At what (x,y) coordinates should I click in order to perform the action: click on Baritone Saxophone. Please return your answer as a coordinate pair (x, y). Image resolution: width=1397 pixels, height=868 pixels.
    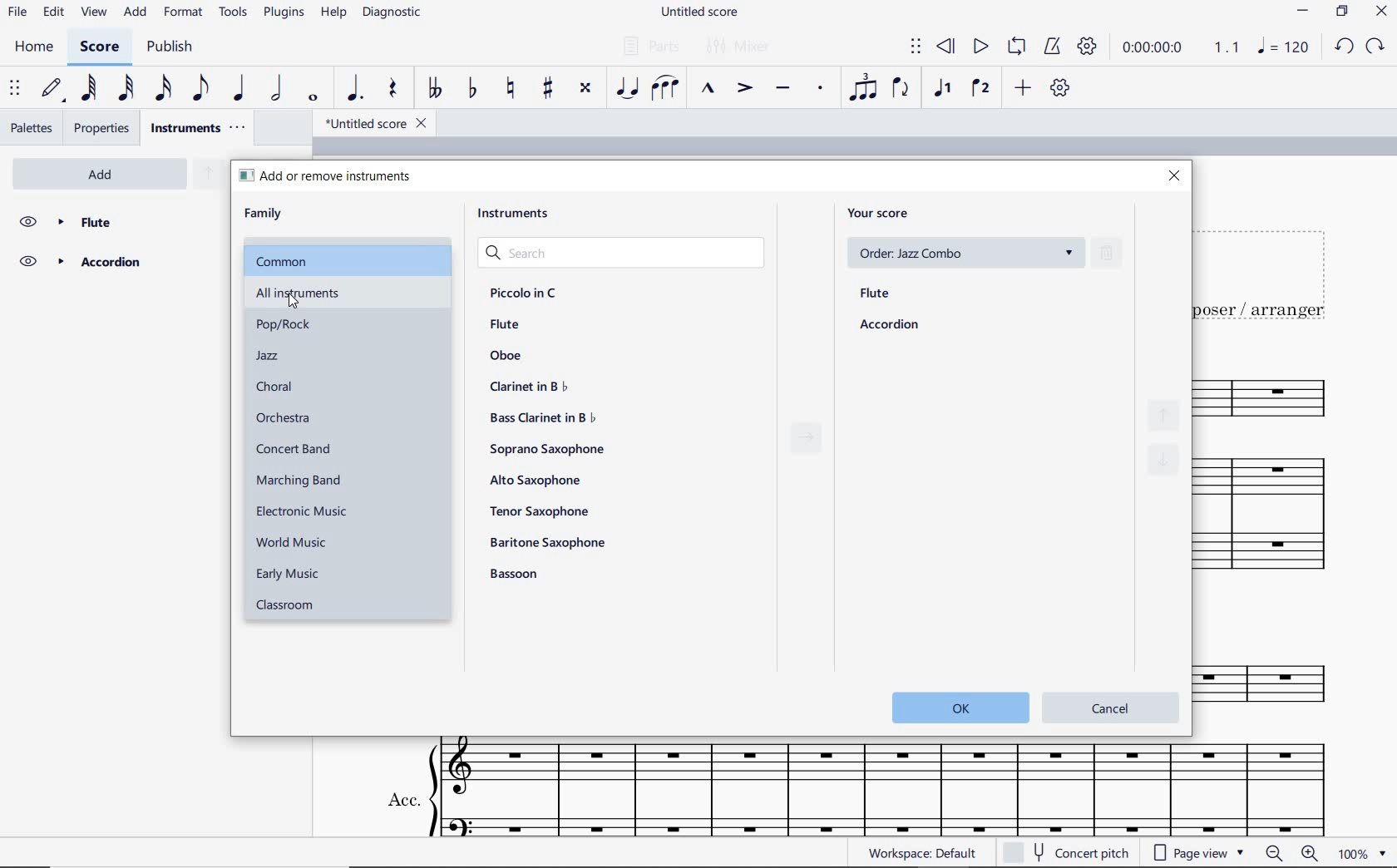
    Looking at the image, I should click on (549, 542).